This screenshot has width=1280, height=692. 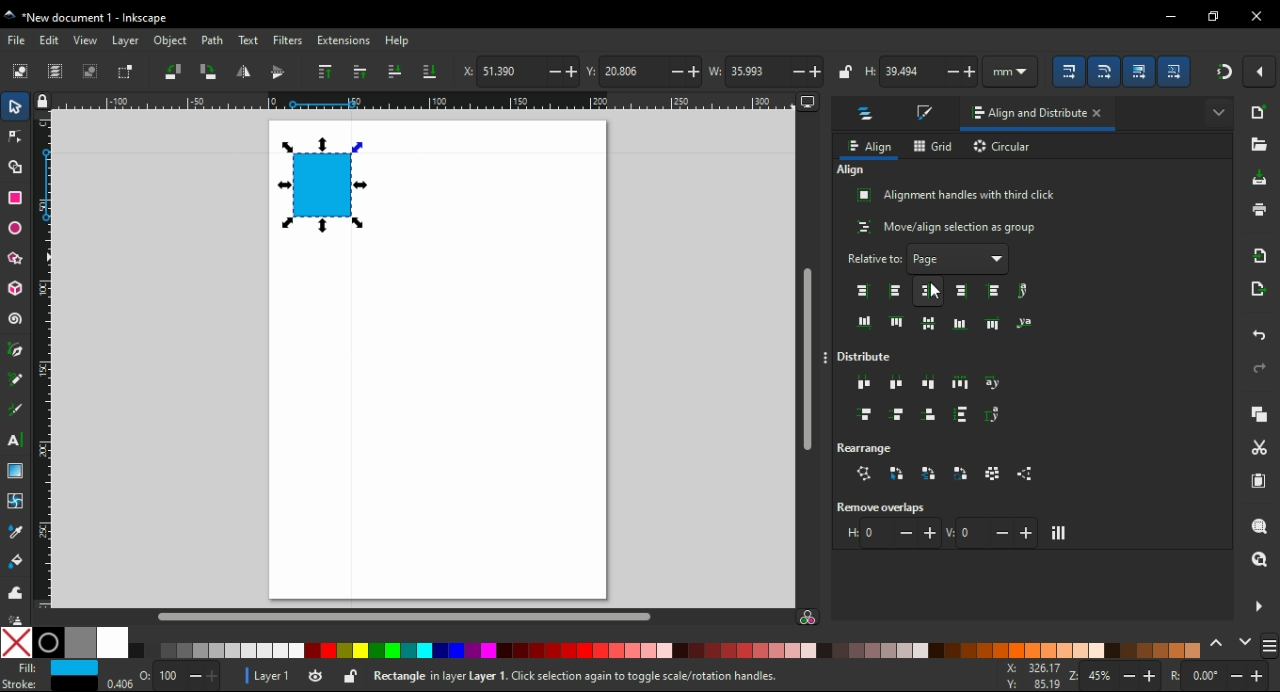 What do you see at coordinates (923, 72) in the screenshot?
I see `height of selection` at bounding box center [923, 72].